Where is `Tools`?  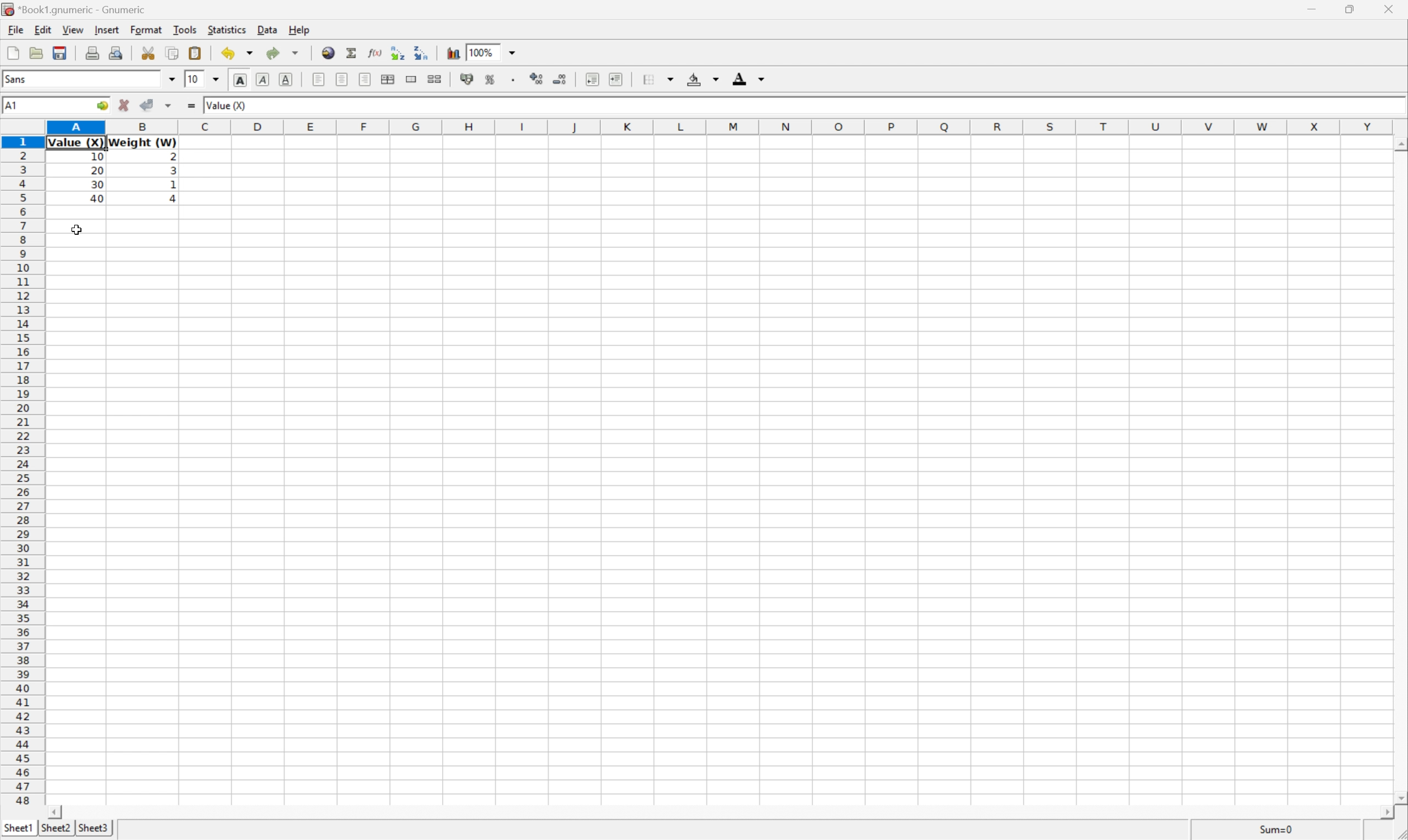
Tools is located at coordinates (187, 29).